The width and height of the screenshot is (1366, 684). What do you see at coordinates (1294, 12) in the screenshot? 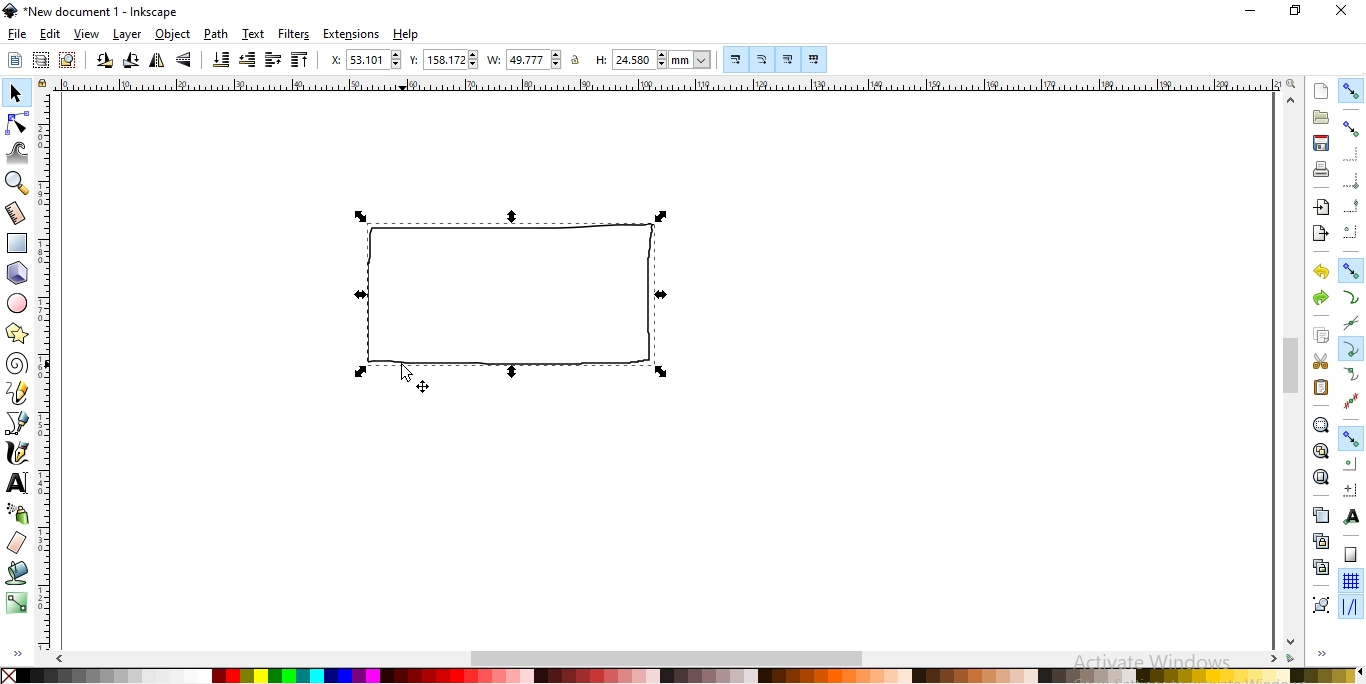
I see `restore down` at bounding box center [1294, 12].